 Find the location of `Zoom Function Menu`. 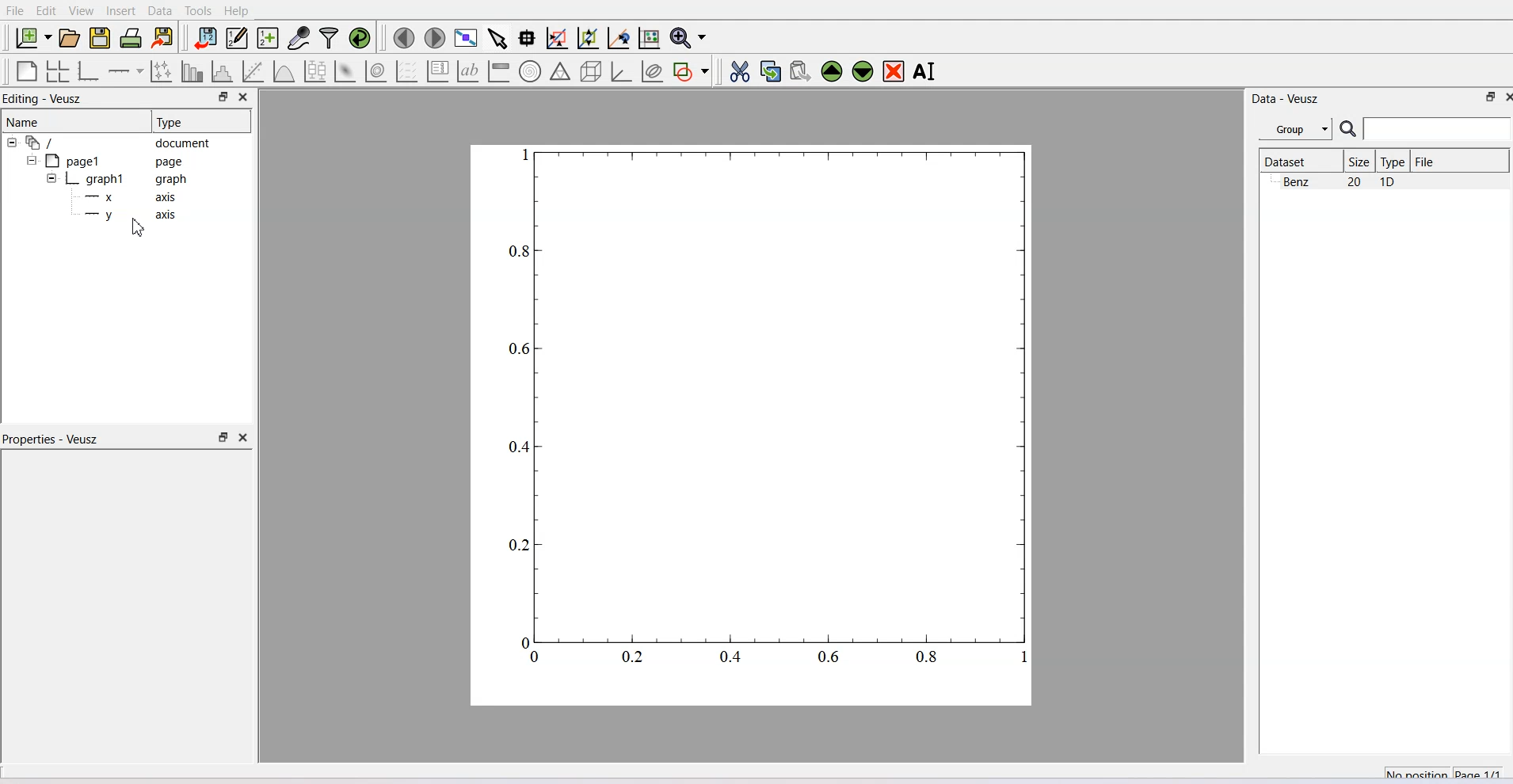

Zoom Function Menu is located at coordinates (690, 37).